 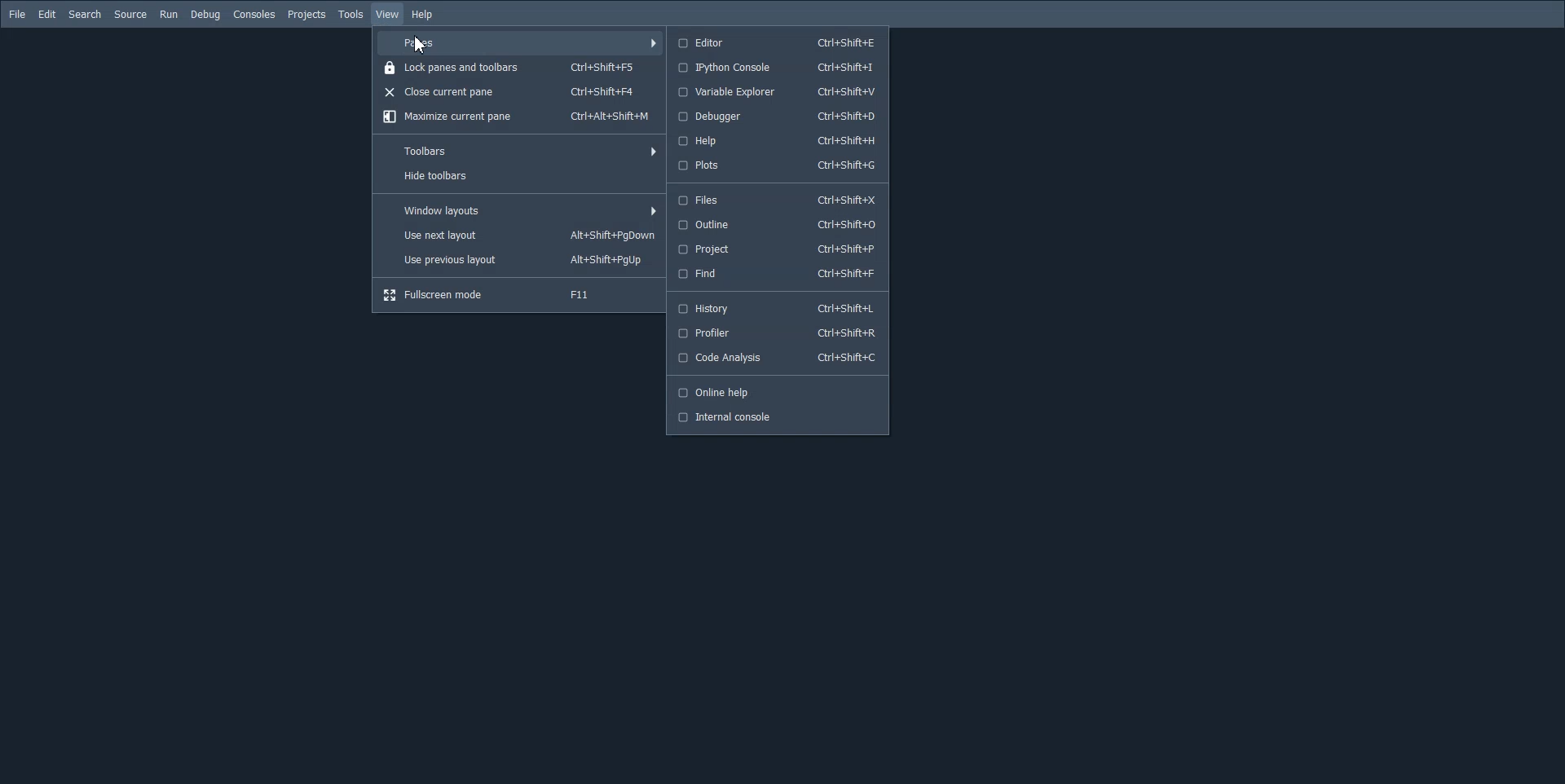 I want to click on code analysis, so click(x=778, y=359).